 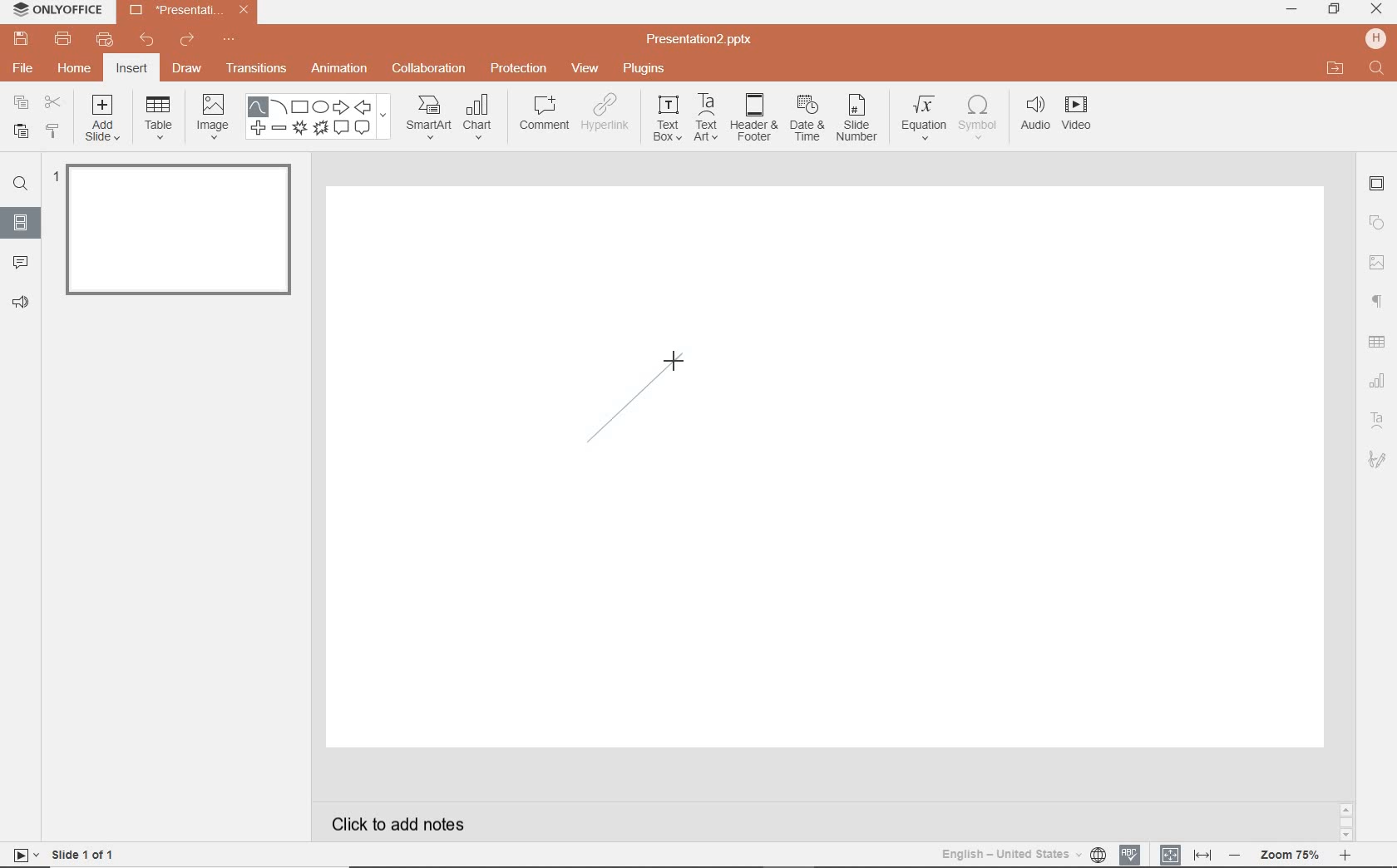 What do you see at coordinates (25, 70) in the screenshot?
I see `FILE ` at bounding box center [25, 70].